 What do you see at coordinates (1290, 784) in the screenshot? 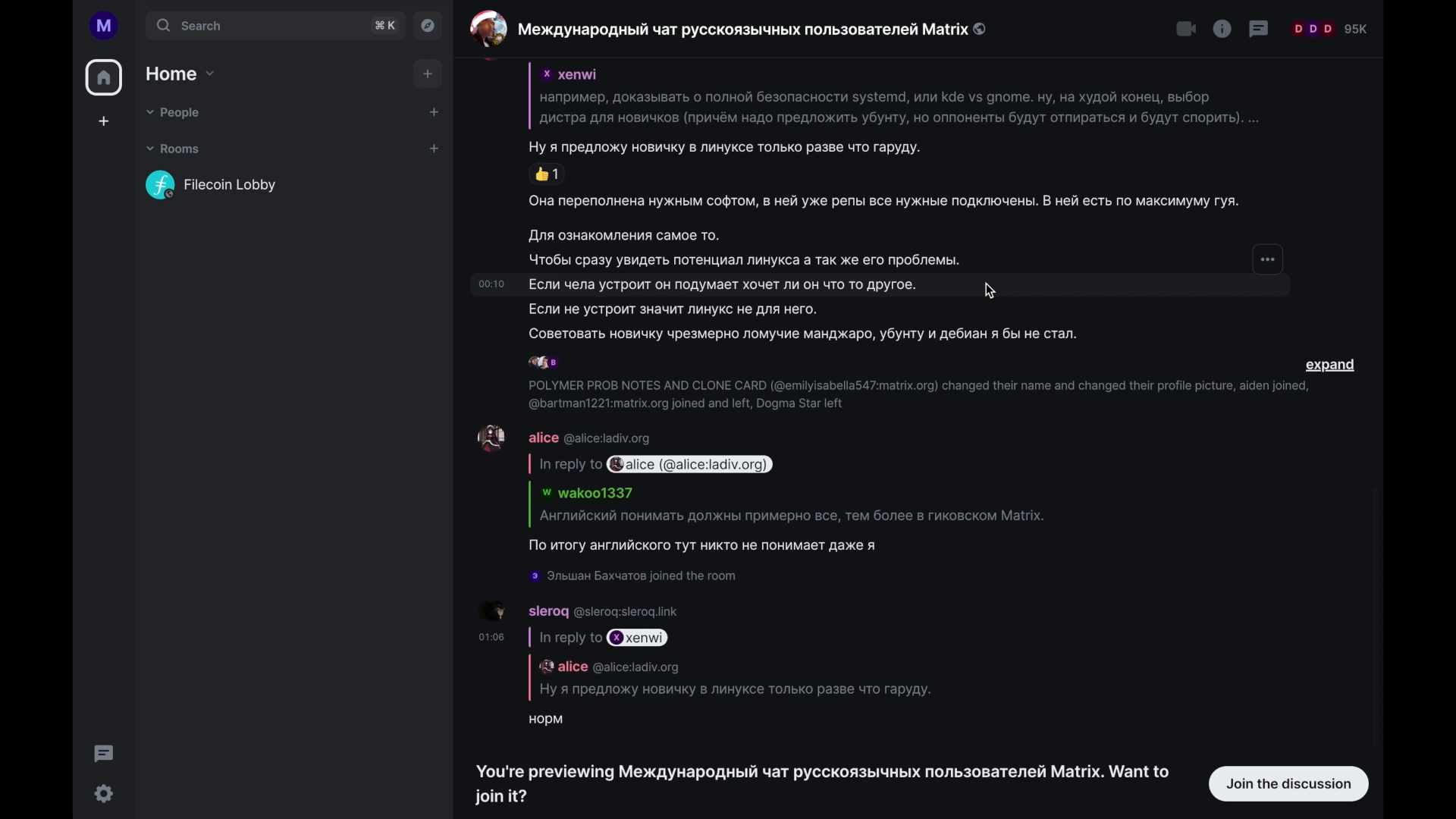
I see `join the discussion` at bounding box center [1290, 784].